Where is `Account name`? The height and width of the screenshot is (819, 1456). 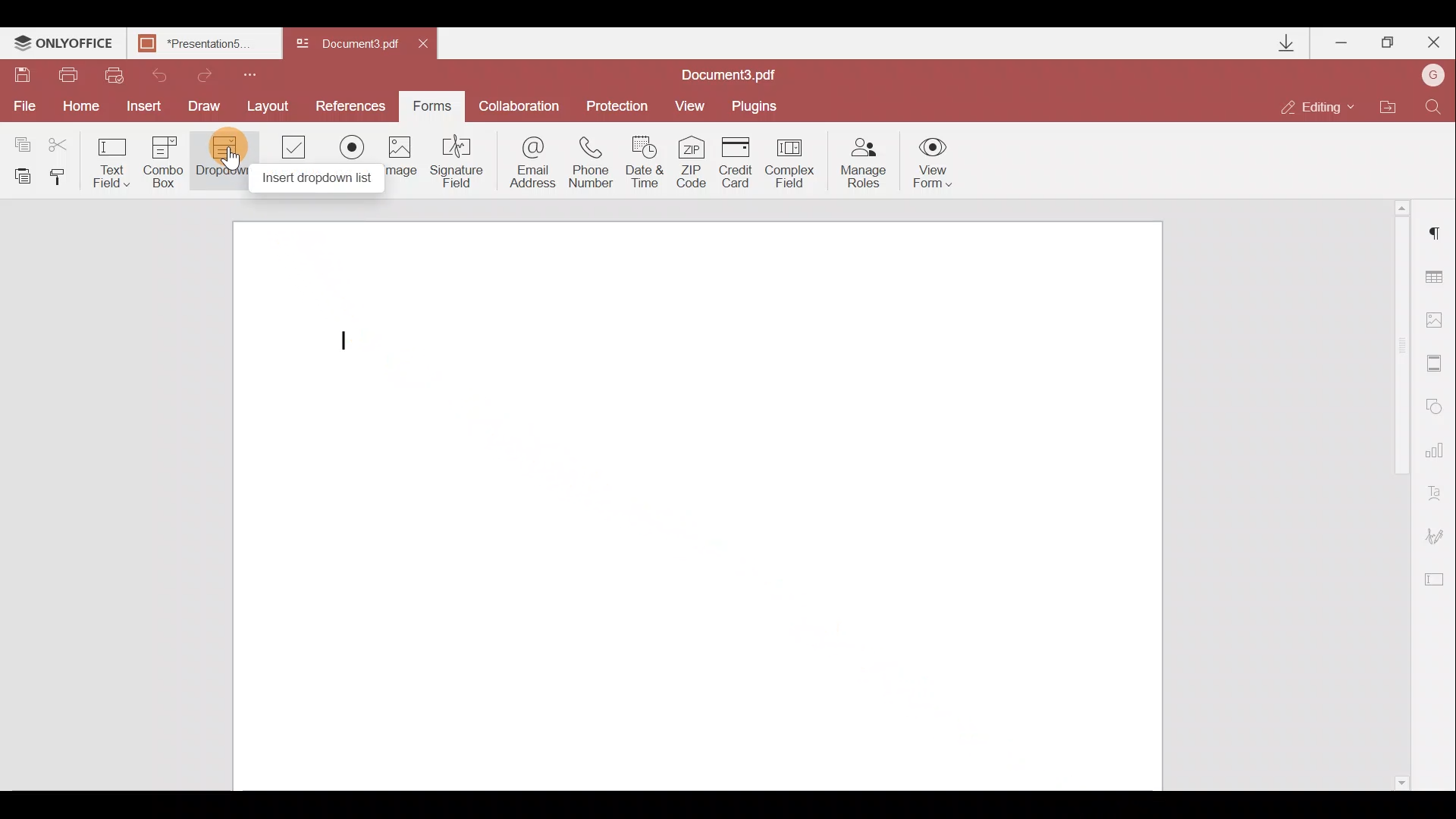
Account name is located at coordinates (1429, 77).